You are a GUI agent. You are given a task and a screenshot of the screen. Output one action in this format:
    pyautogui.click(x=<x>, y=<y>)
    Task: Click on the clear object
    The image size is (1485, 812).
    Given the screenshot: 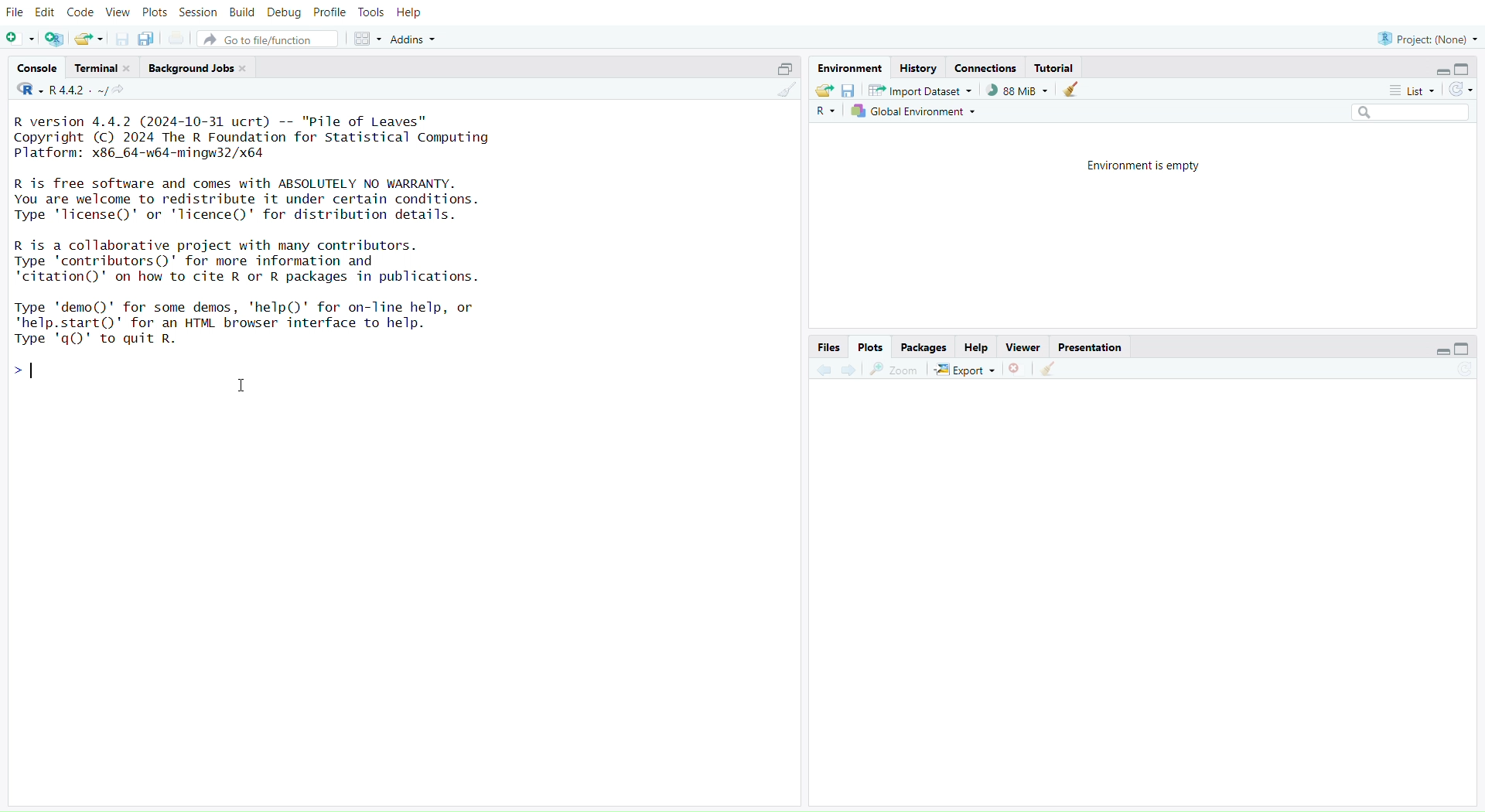 What is the action you would take?
    pyautogui.click(x=1071, y=91)
    